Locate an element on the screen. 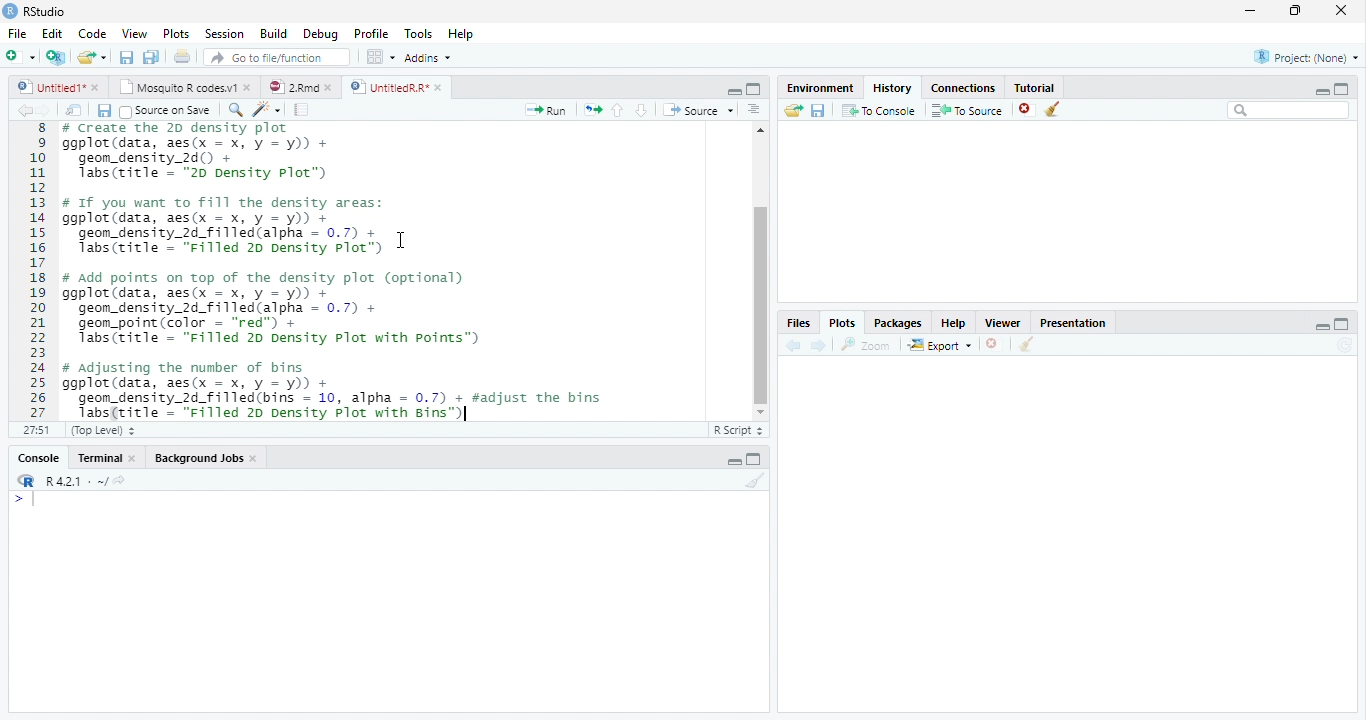  down is located at coordinates (641, 110).